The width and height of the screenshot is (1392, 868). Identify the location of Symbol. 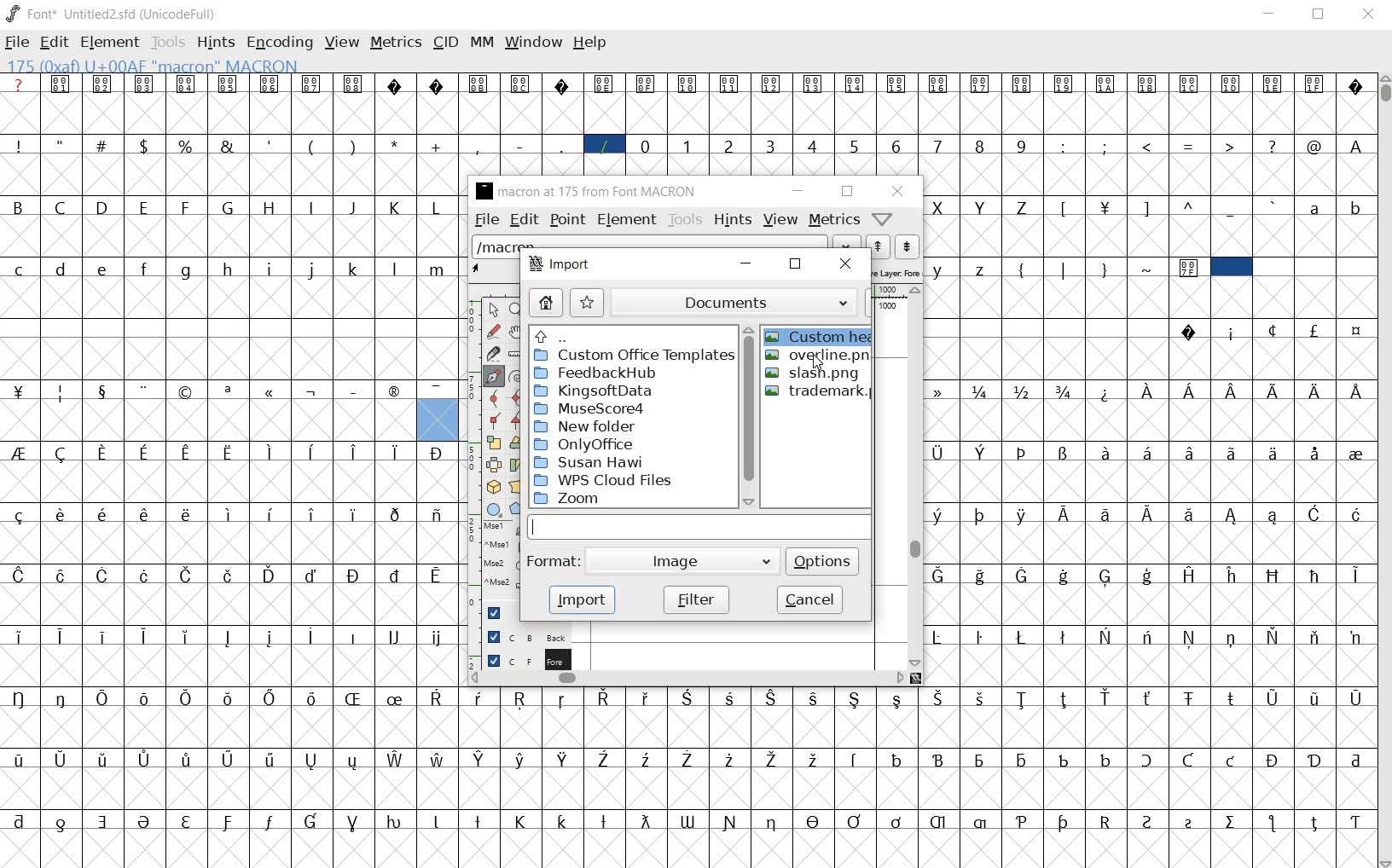
(1191, 85).